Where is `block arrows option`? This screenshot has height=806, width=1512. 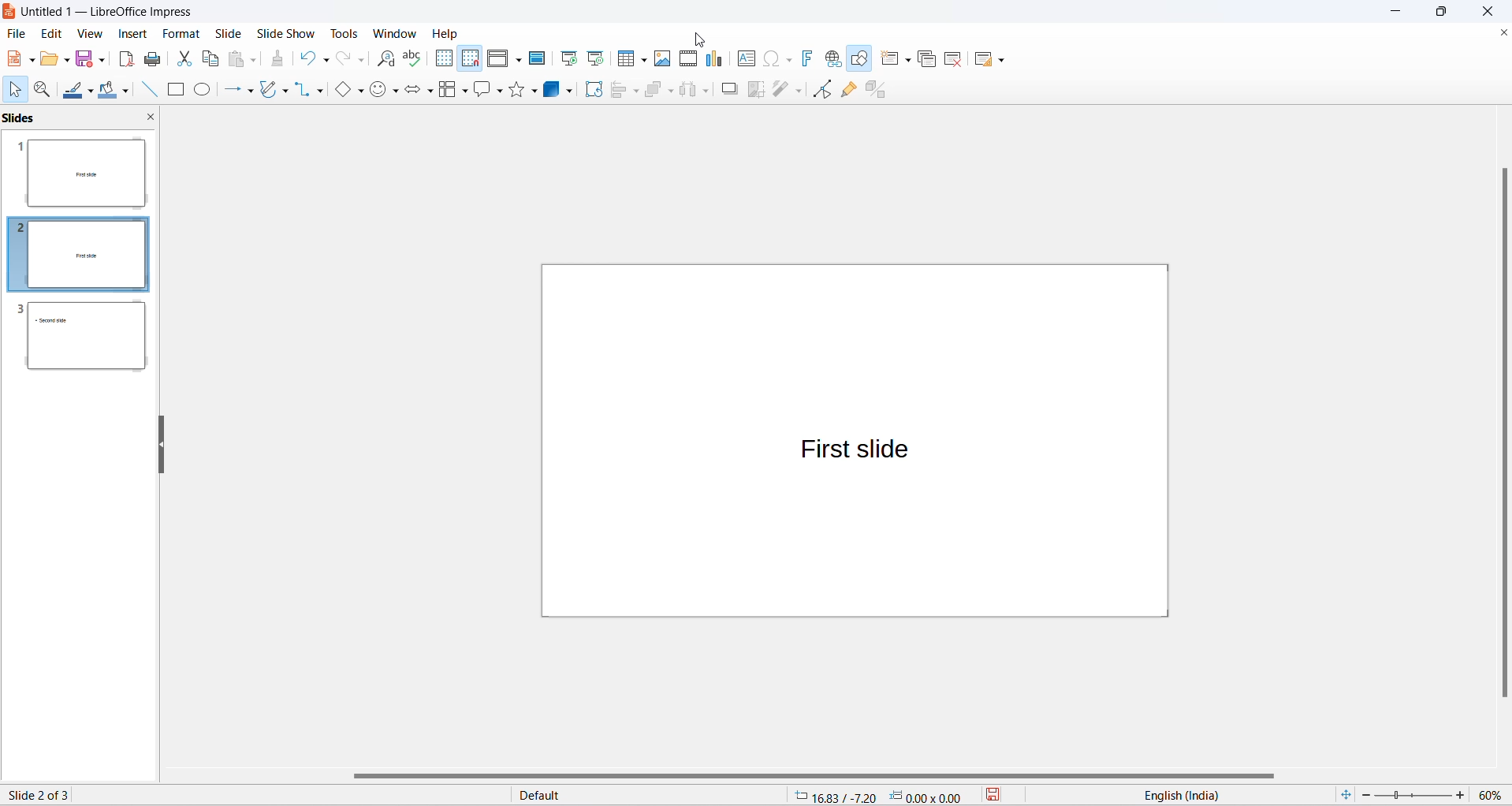 block arrows option is located at coordinates (430, 91).